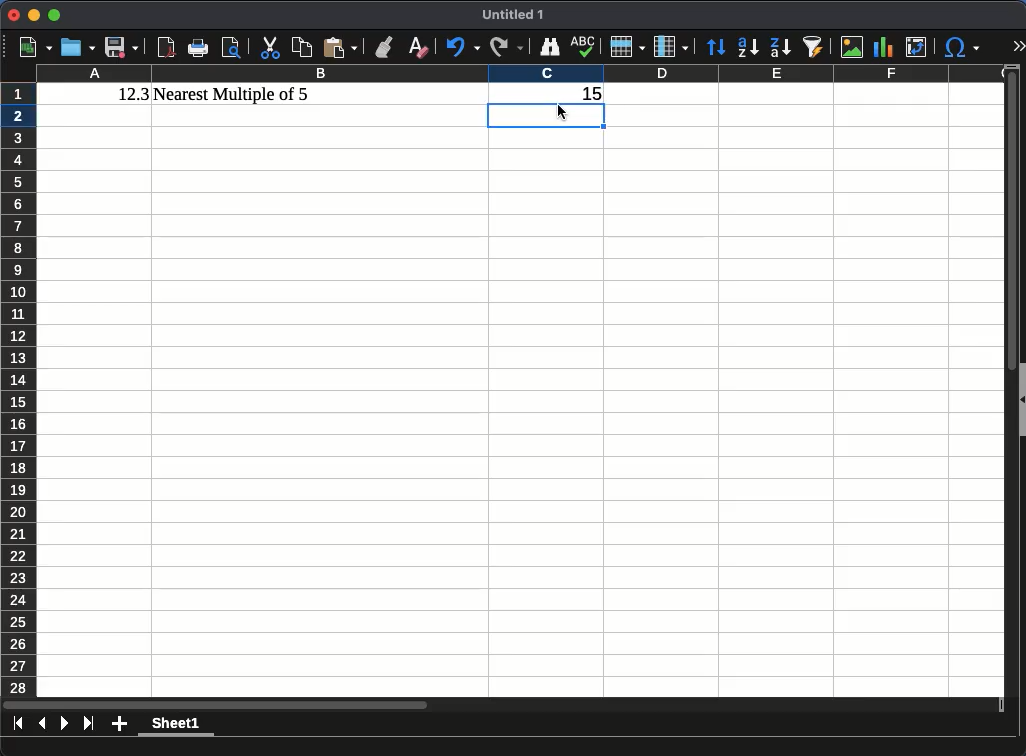 This screenshot has height=756, width=1026. Describe the element at coordinates (34, 47) in the screenshot. I see `new` at that location.